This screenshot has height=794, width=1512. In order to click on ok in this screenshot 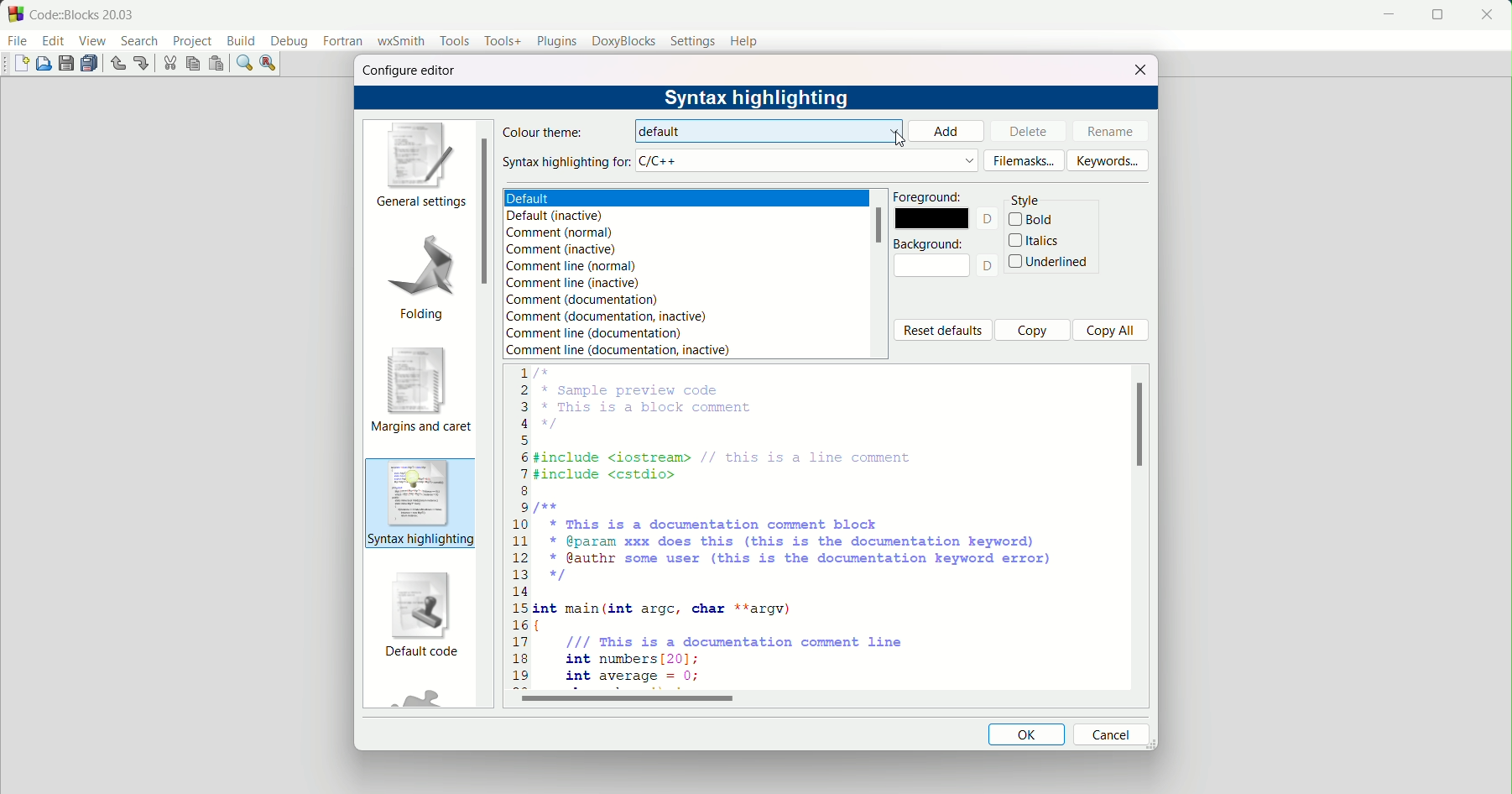, I will do `click(1026, 734)`.